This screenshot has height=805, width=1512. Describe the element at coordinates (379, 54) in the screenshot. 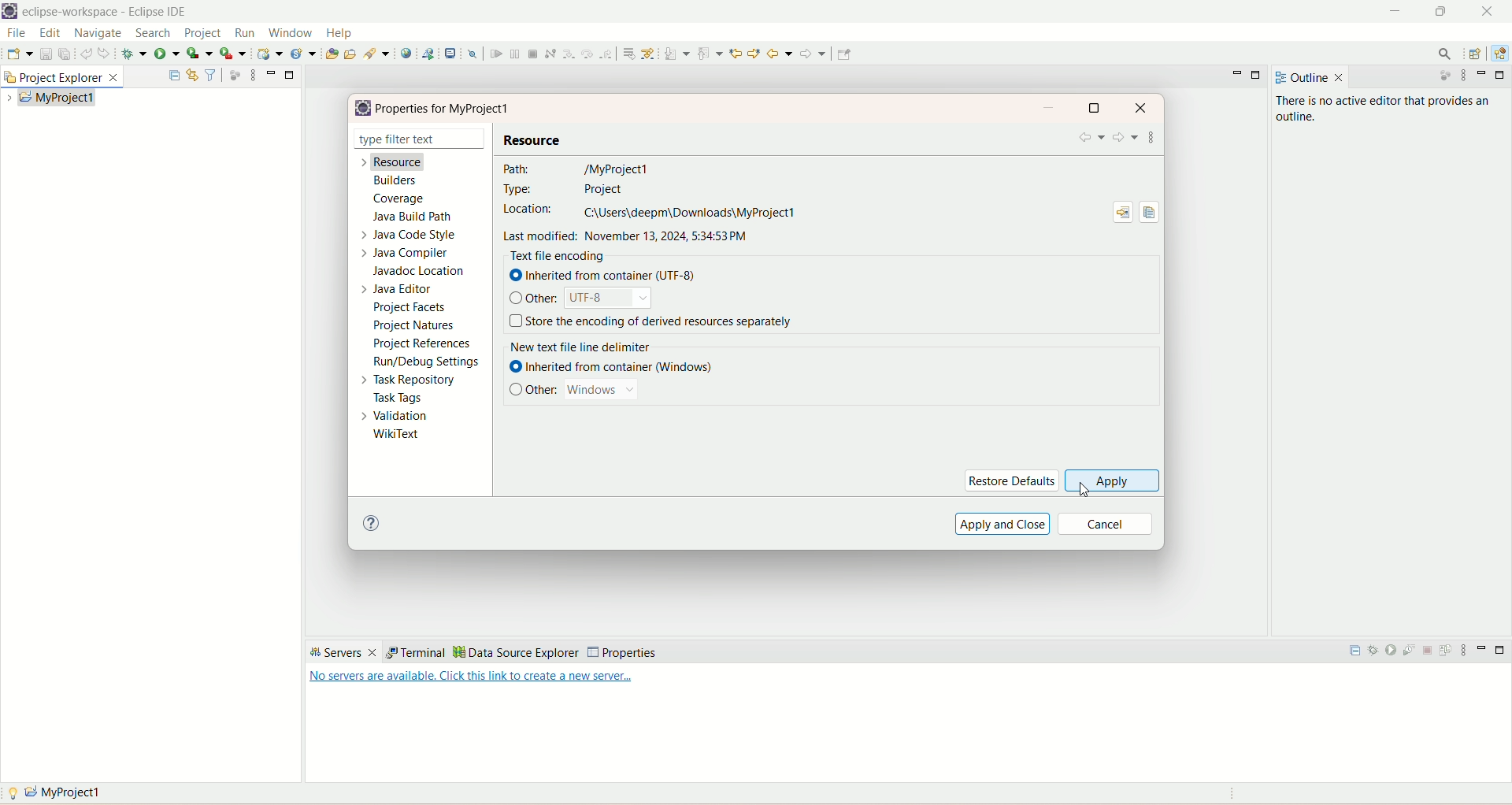

I see `search` at that location.